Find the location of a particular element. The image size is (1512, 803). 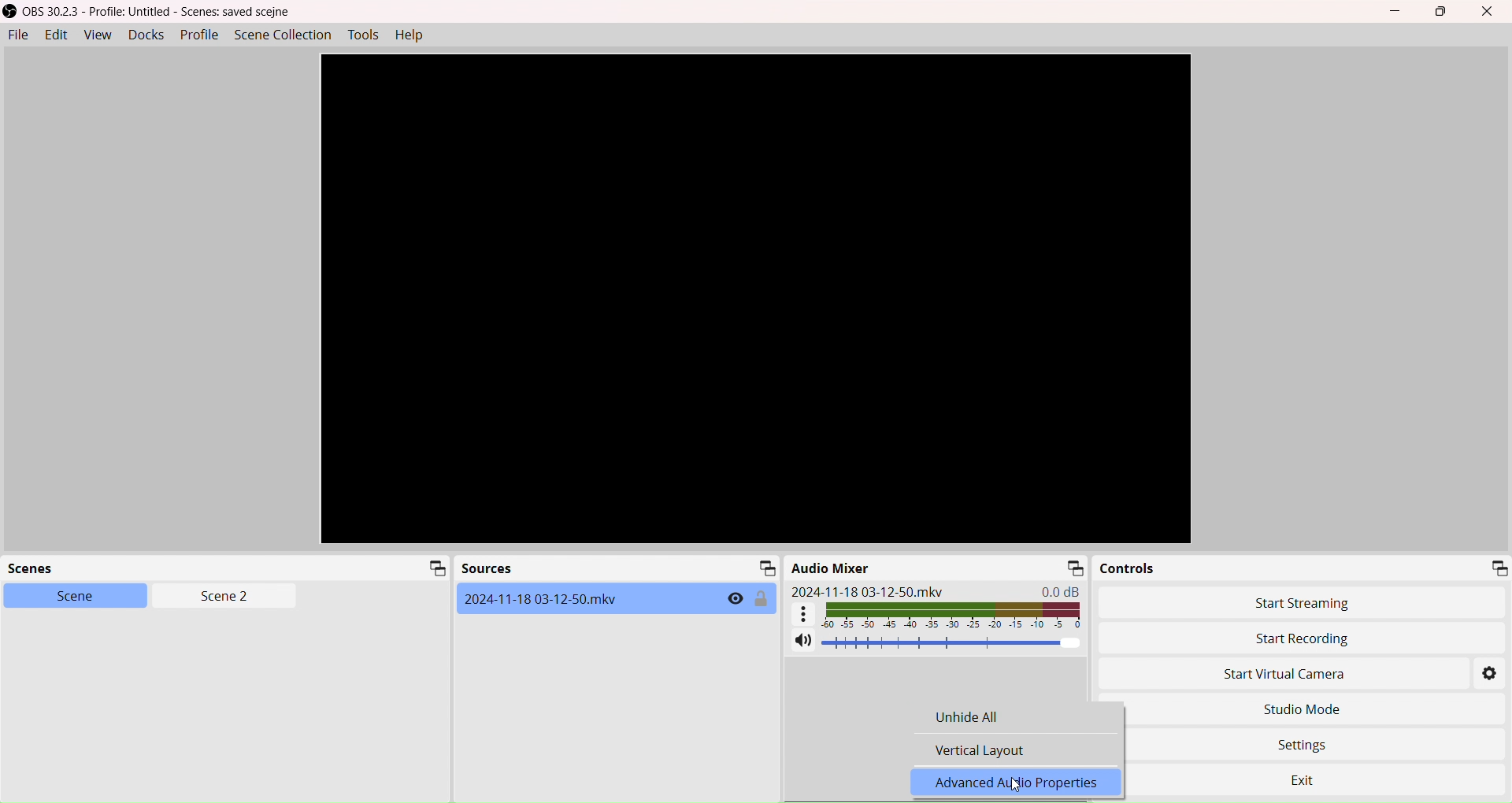

Controls is located at coordinates (1130, 568).